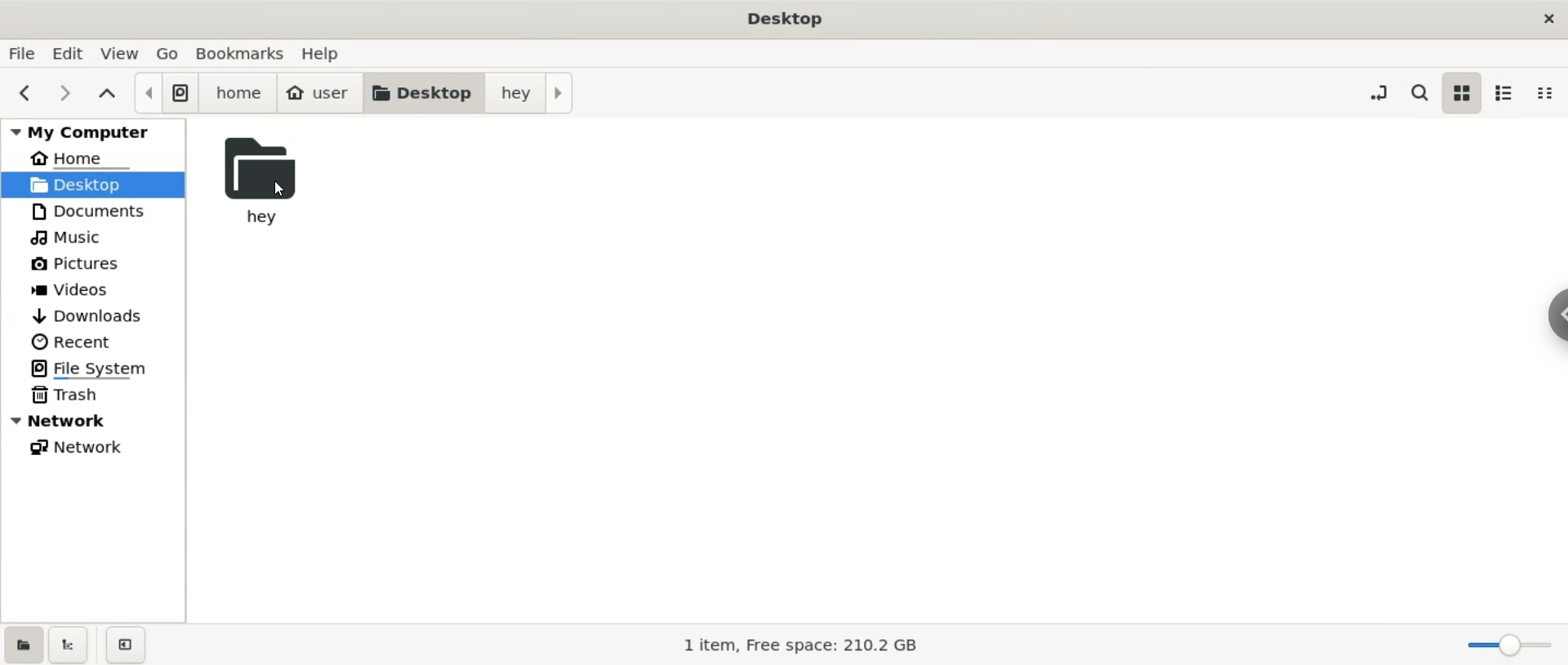  I want to click on desktop, so click(422, 94).